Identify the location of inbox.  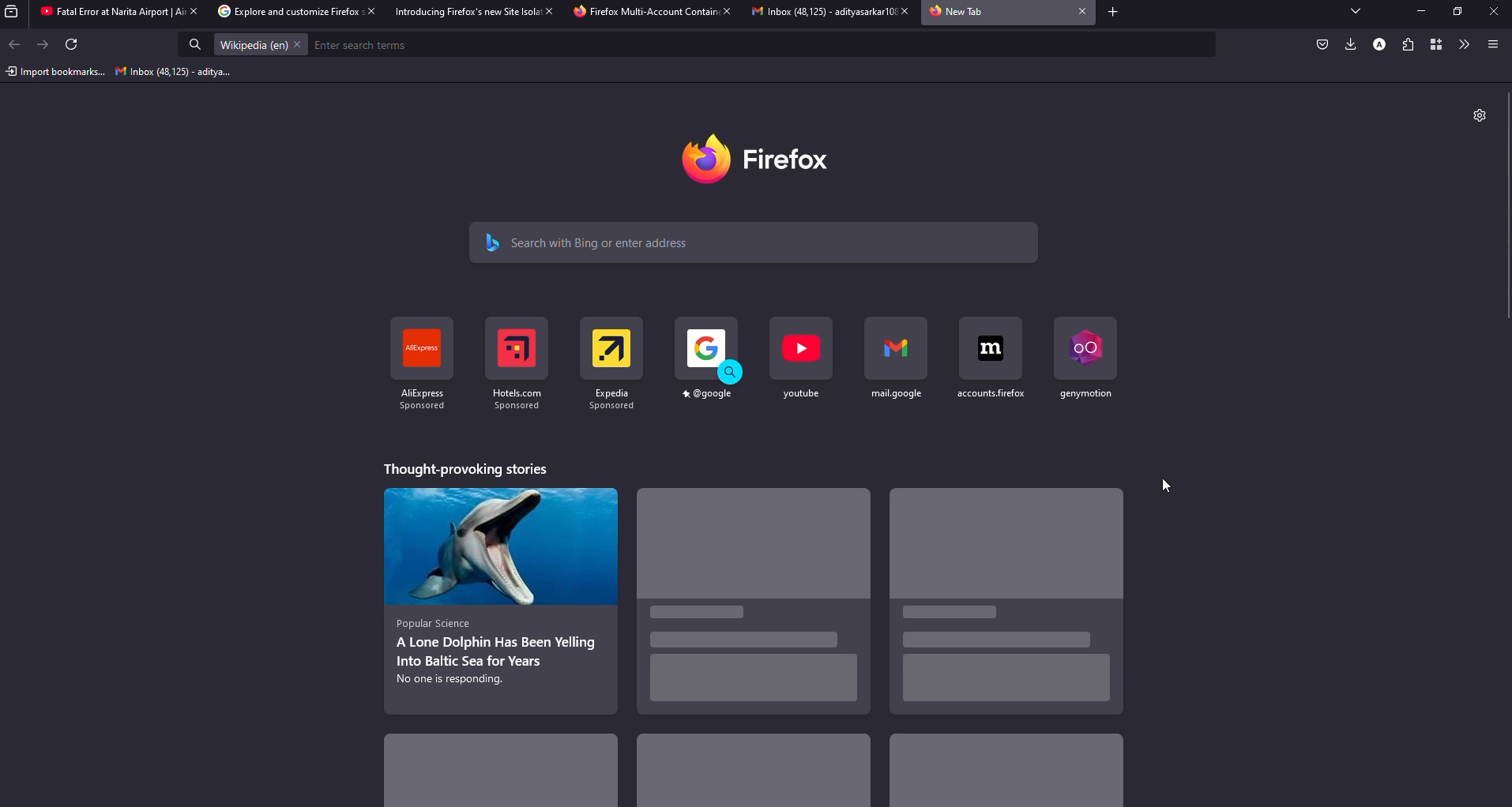
(175, 73).